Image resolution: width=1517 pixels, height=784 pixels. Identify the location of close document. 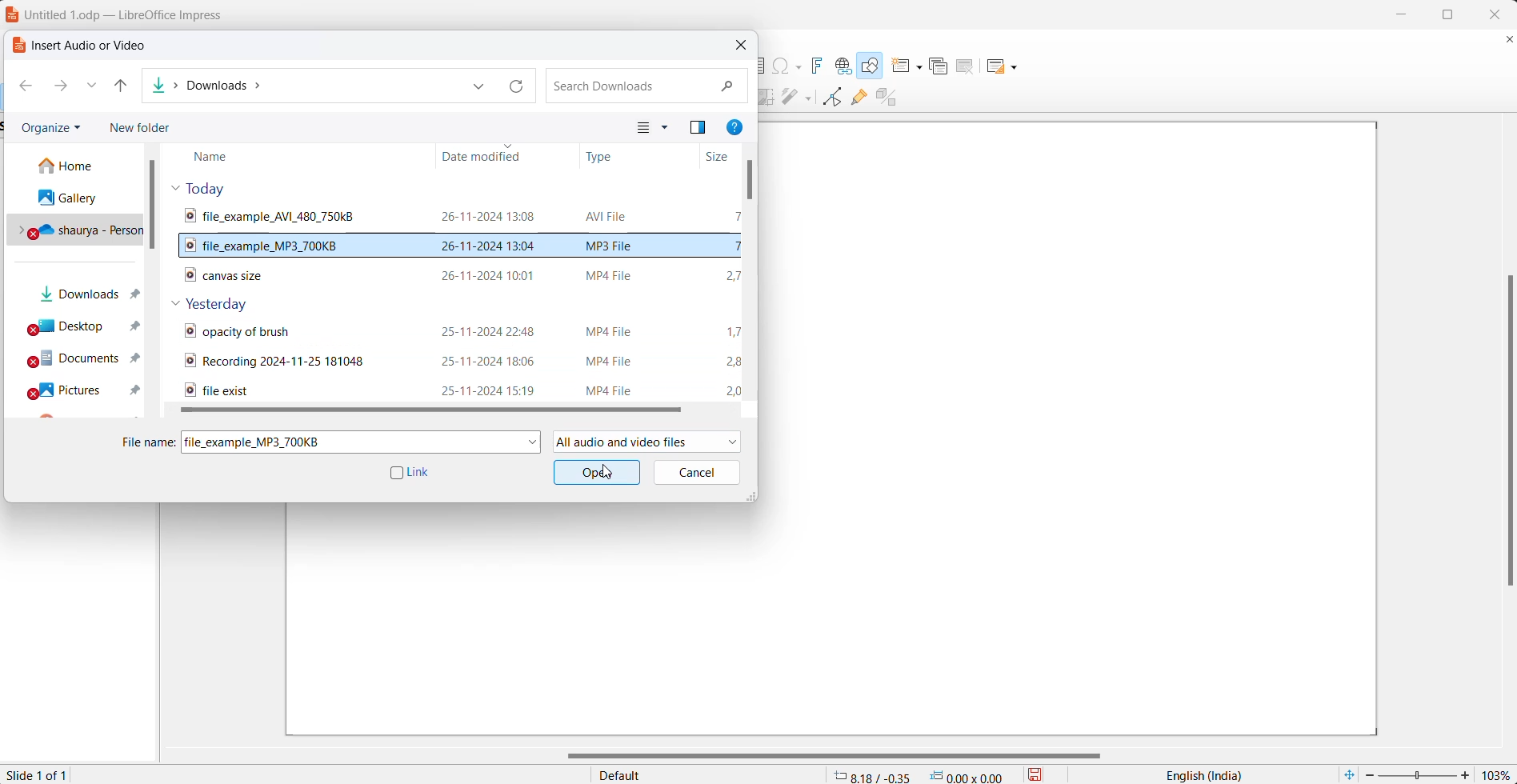
(1508, 41).